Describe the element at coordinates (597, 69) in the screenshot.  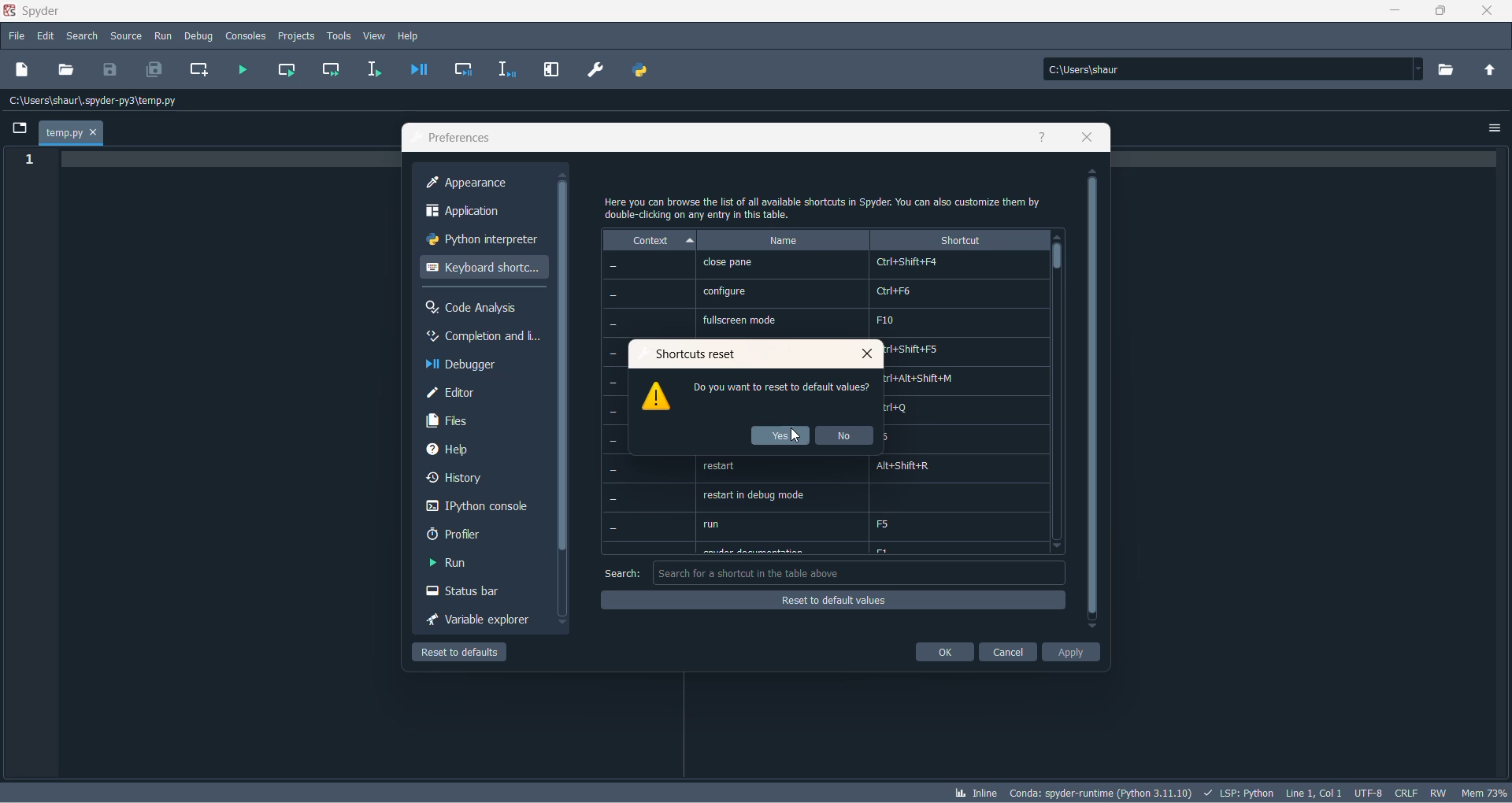
I see `preferences` at that location.